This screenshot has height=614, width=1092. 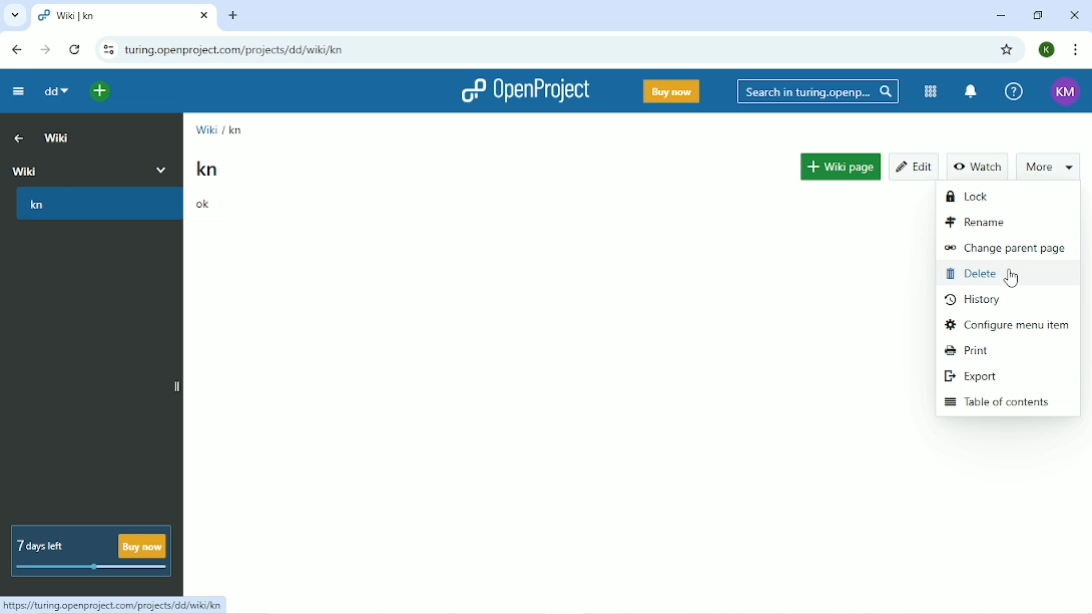 What do you see at coordinates (972, 196) in the screenshot?
I see `Lock` at bounding box center [972, 196].